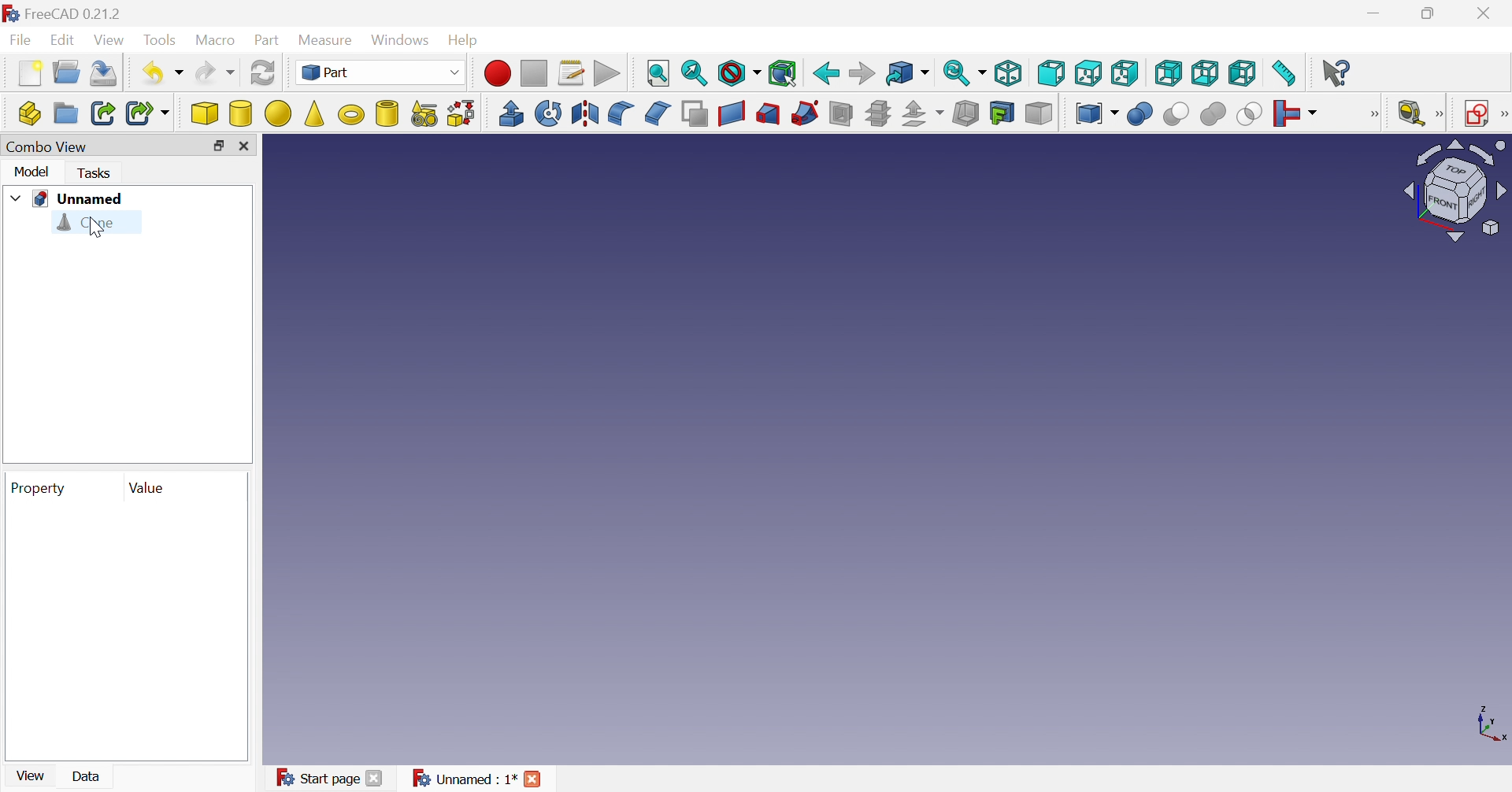 The image size is (1512, 792). Describe the element at coordinates (1489, 727) in the screenshot. I see `x, y, z axis` at that location.